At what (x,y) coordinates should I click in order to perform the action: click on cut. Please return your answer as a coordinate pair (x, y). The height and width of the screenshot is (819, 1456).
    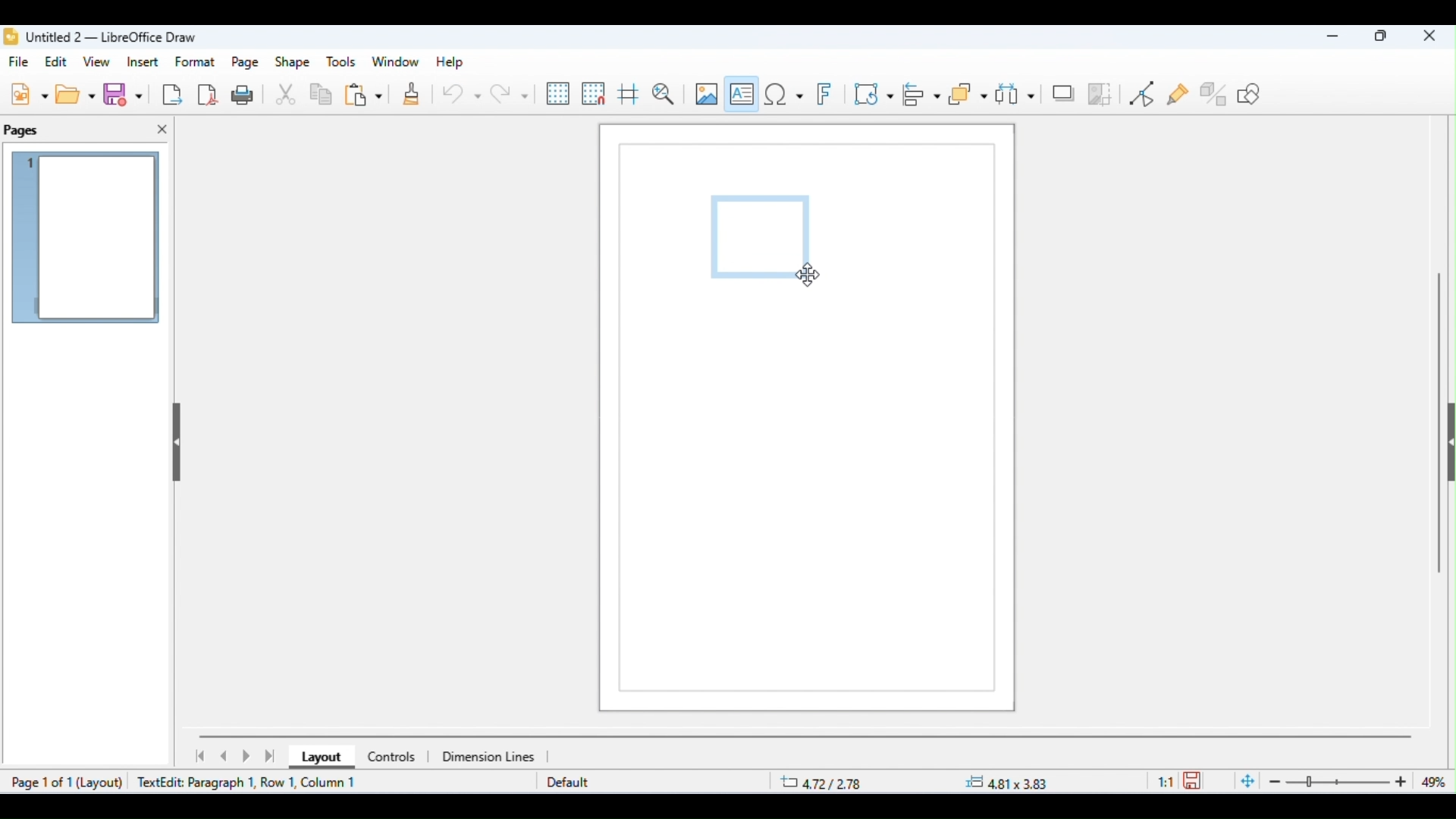
    Looking at the image, I should click on (287, 96).